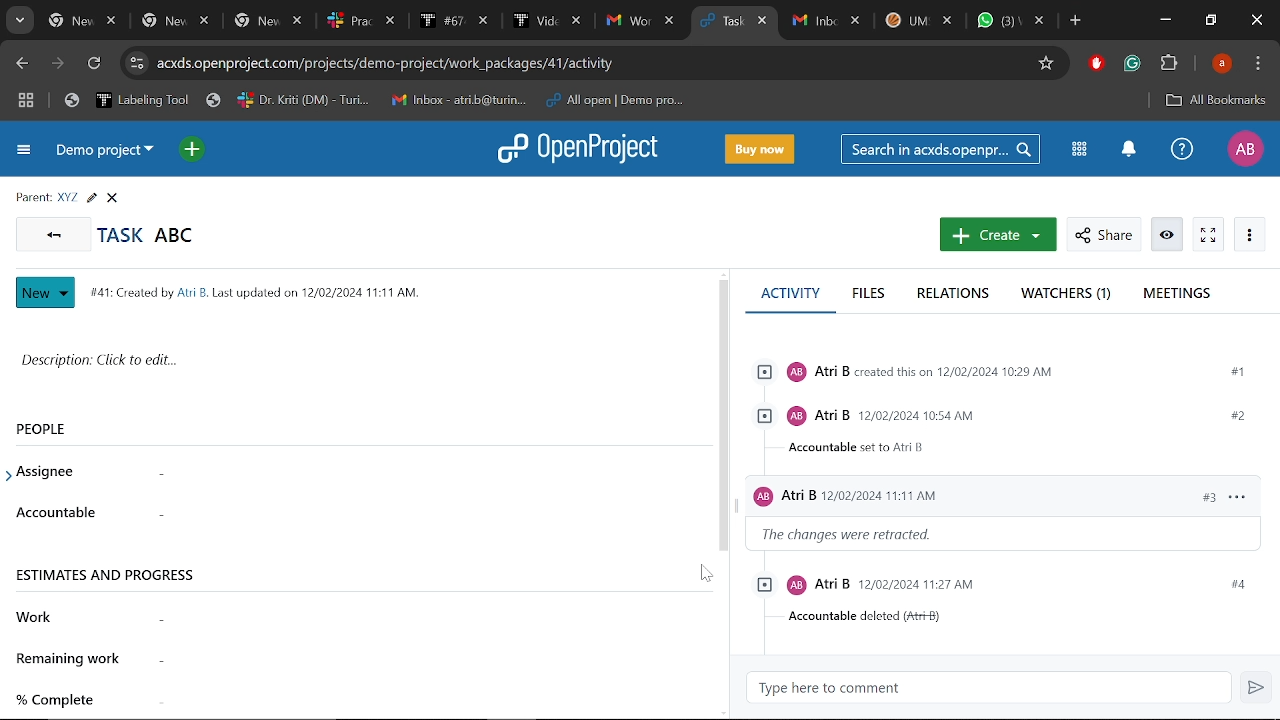 Image resolution: width=1280 pixels, height=720 pixels. What do you see at coordinates (705, 574) in the screenshot?
I see `cursor` at bounding box center [705, 574].